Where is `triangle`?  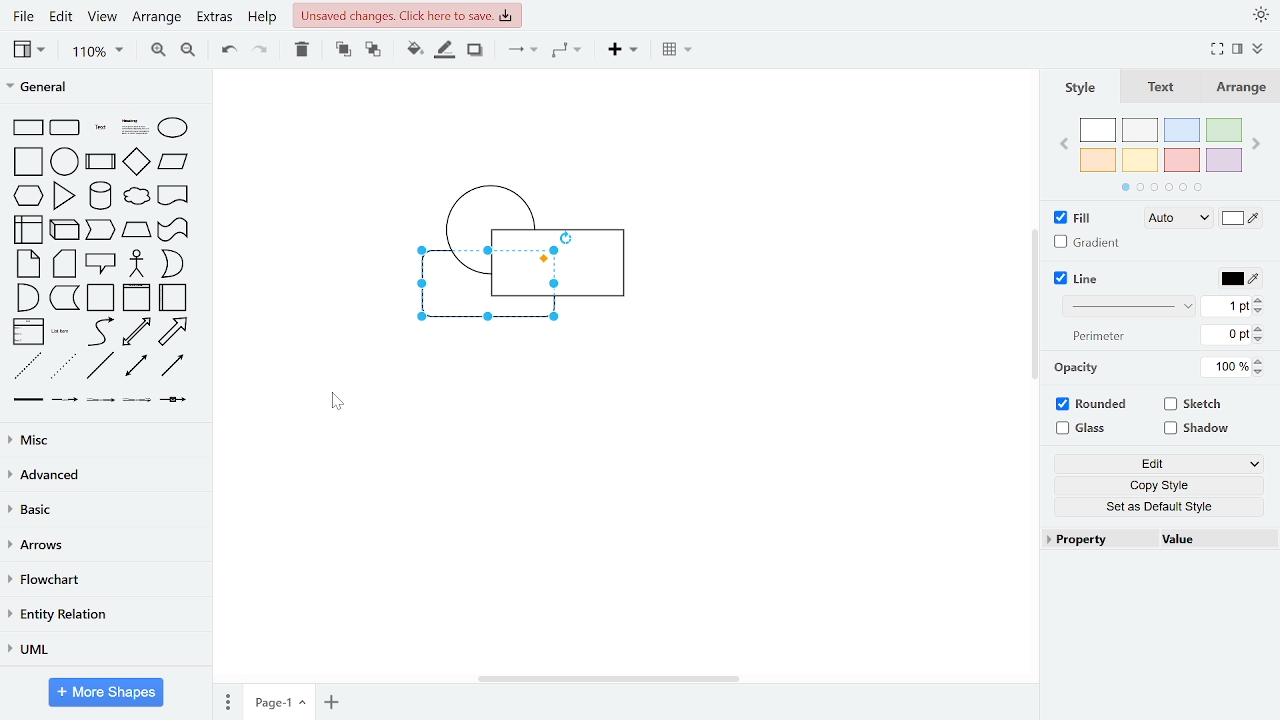
triangle is located at coordinates (62, 196).